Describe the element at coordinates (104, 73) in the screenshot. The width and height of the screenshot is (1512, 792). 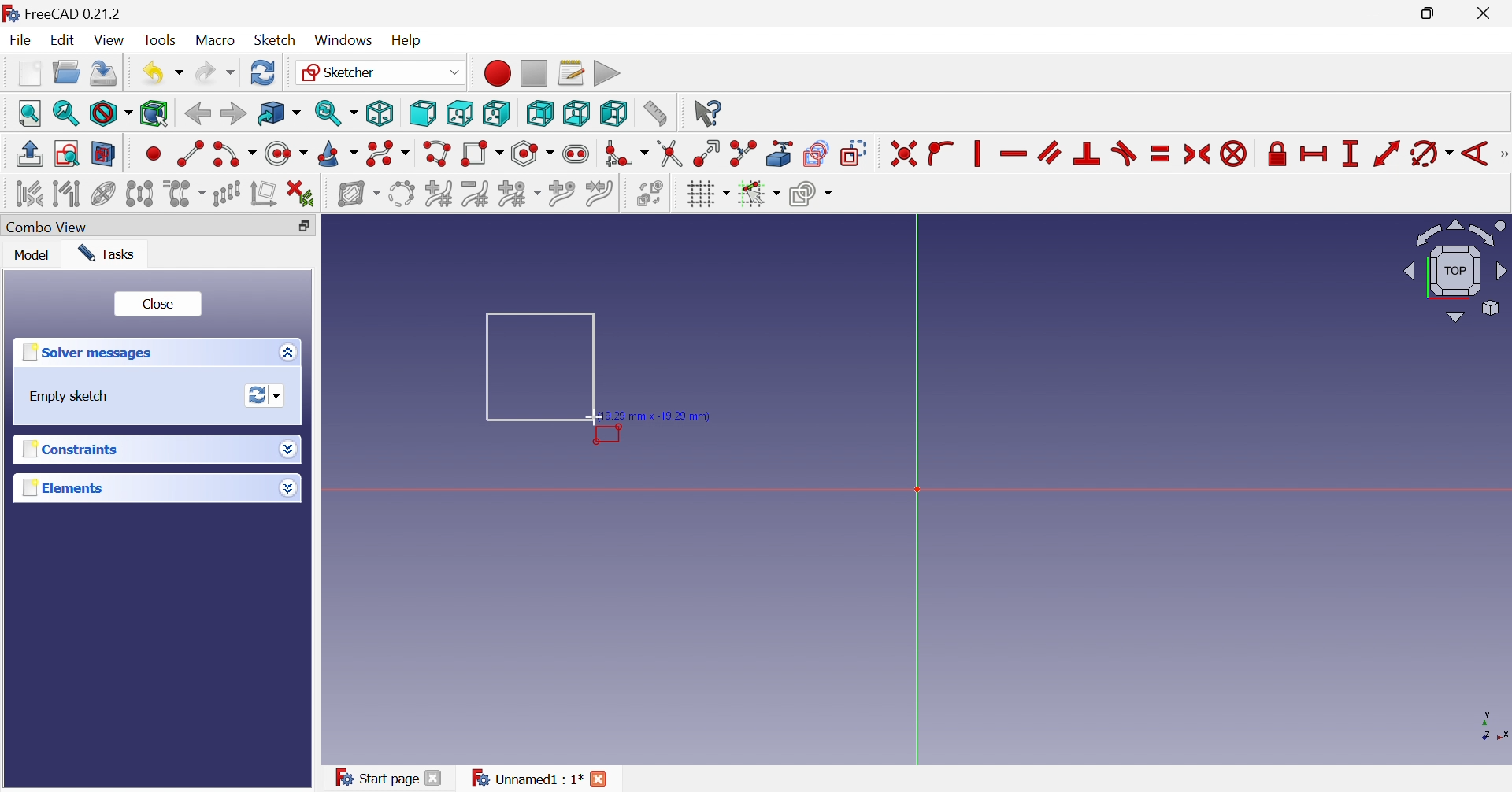
I see `Save` at that location.